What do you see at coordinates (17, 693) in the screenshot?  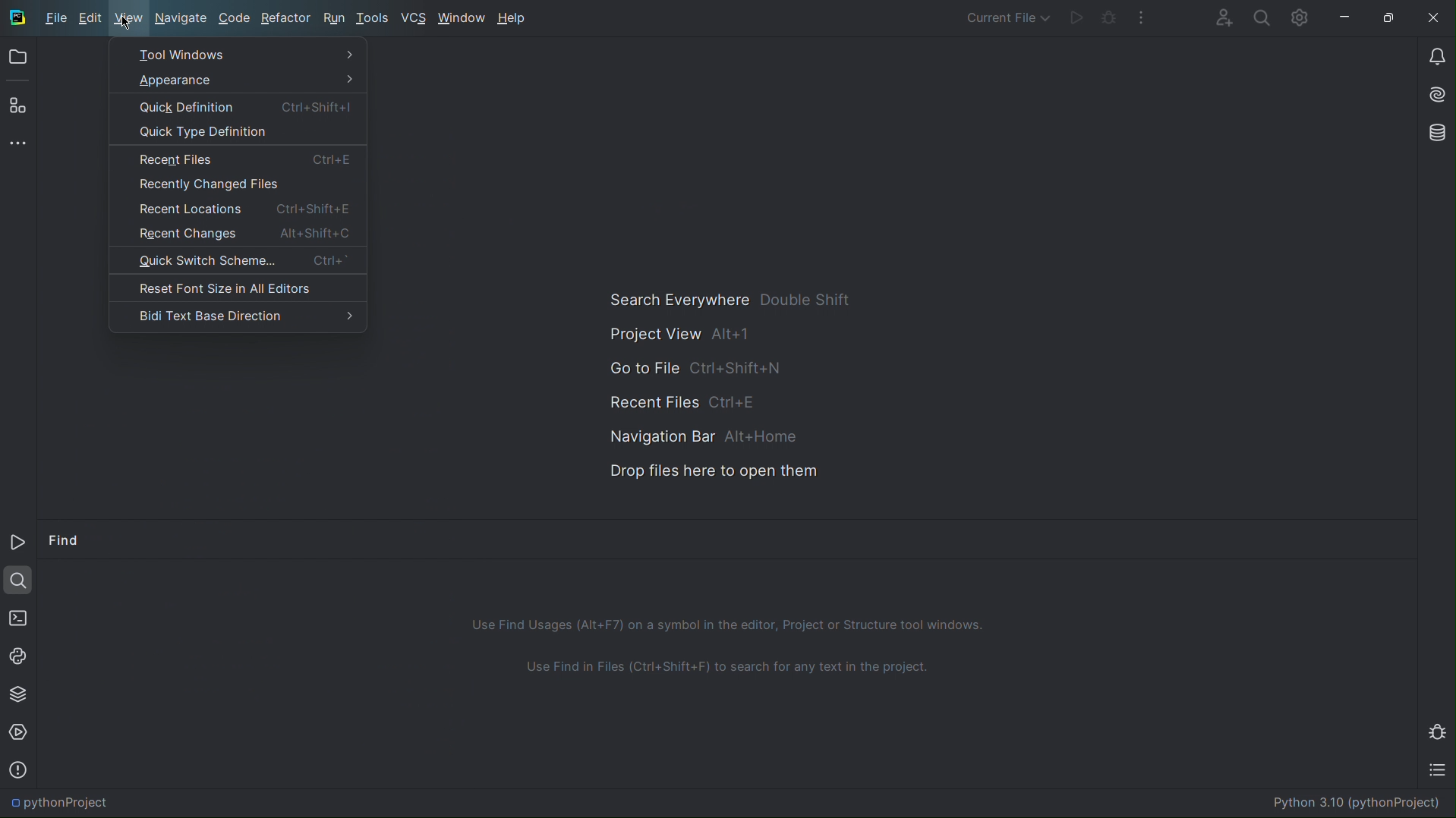 I see `Python Packages` at bounding box center [17, 693].